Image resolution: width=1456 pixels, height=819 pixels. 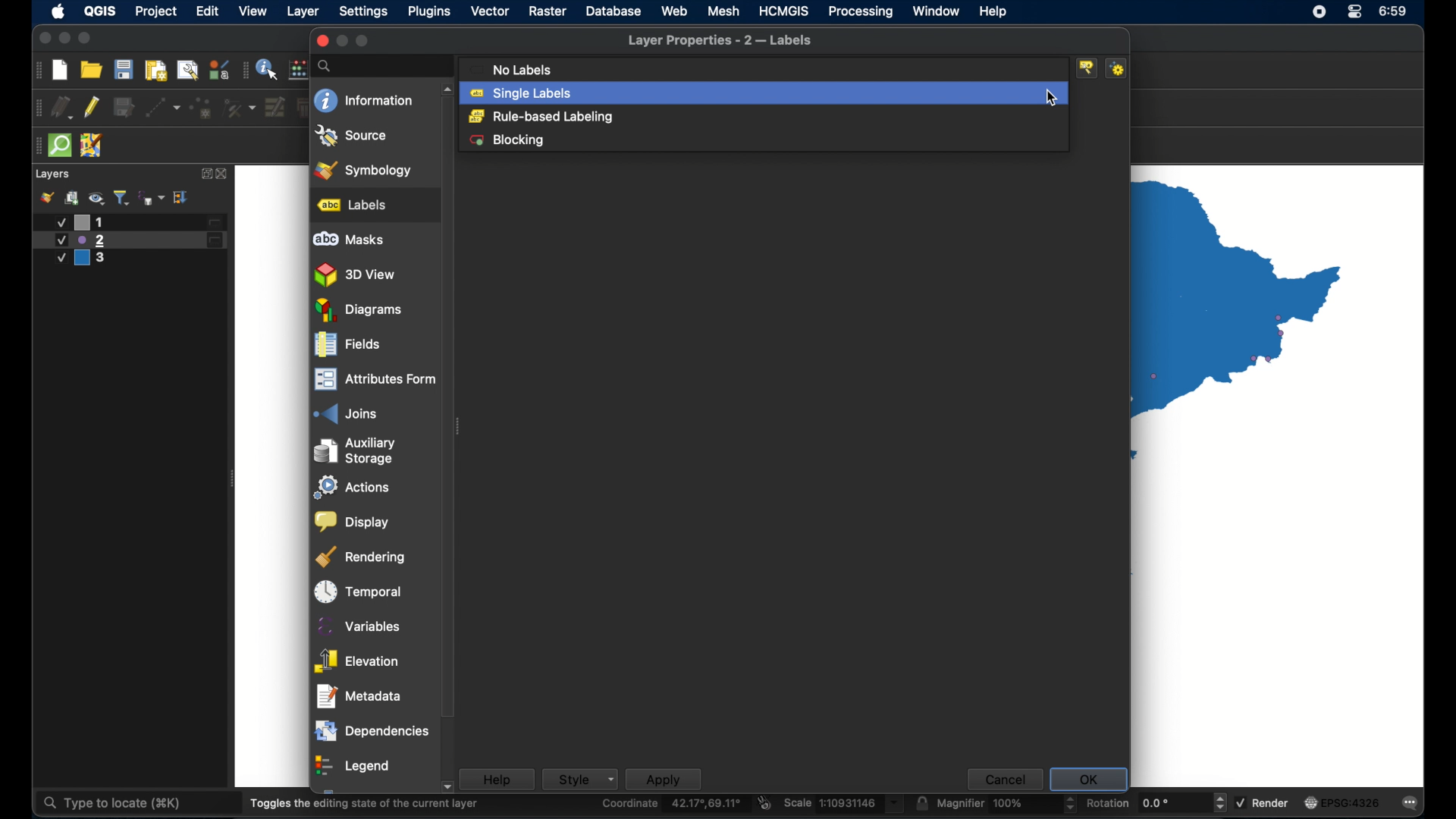 I want to click on layer 2, so click(x=130, y=240).